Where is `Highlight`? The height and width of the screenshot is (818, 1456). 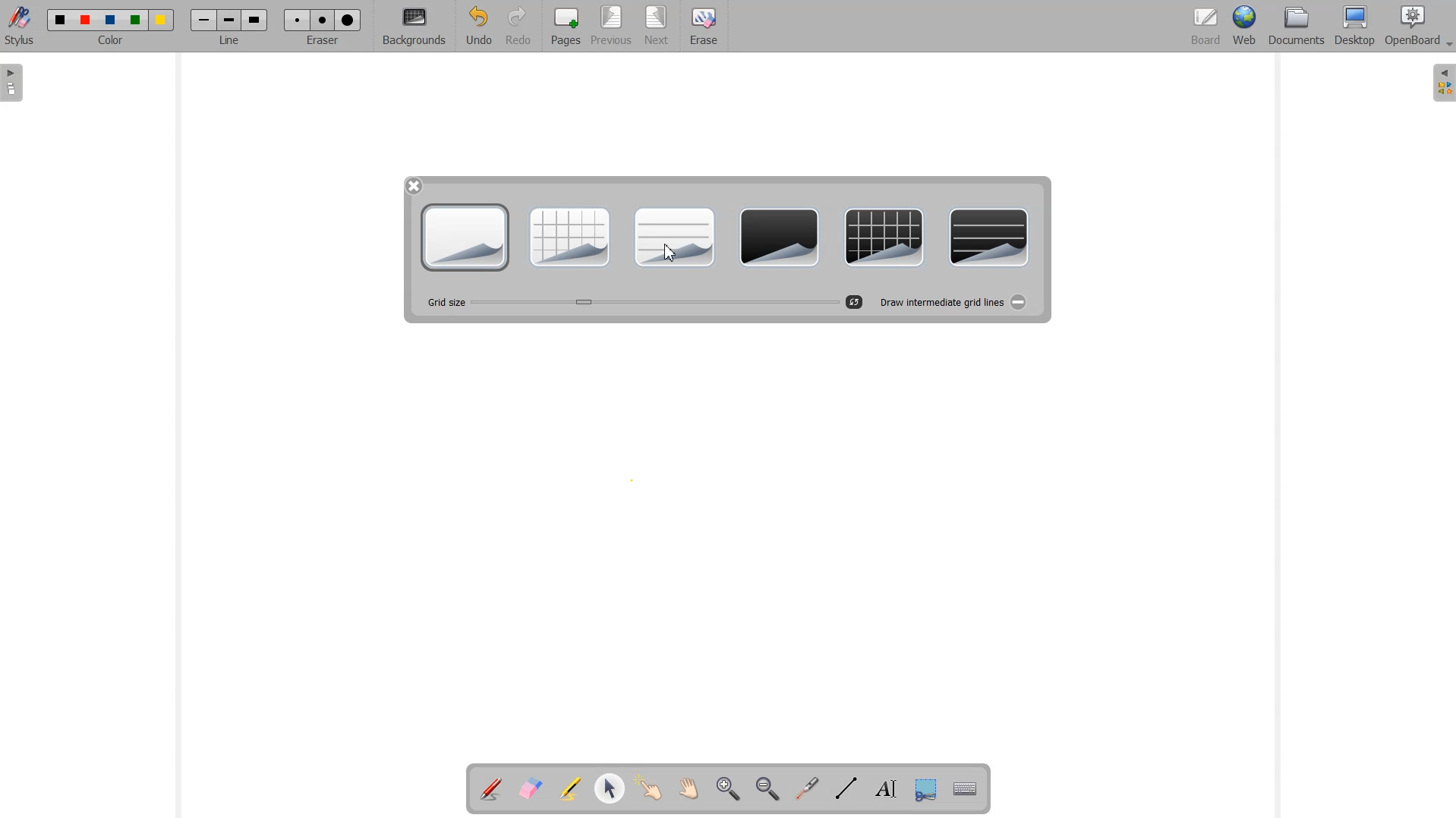 Highlight is located at coordinates (570, 791).